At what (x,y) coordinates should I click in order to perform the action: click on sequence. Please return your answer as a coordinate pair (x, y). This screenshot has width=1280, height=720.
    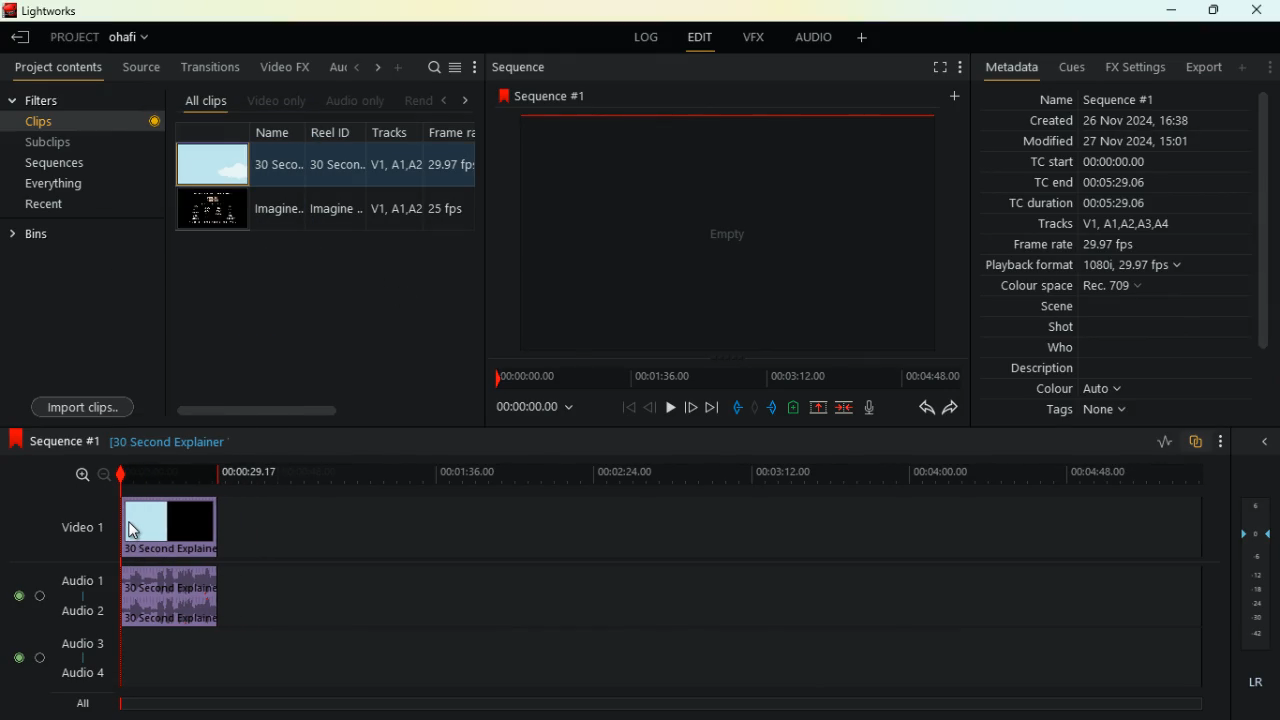
    Looking at the image, I should click on (53, 440).